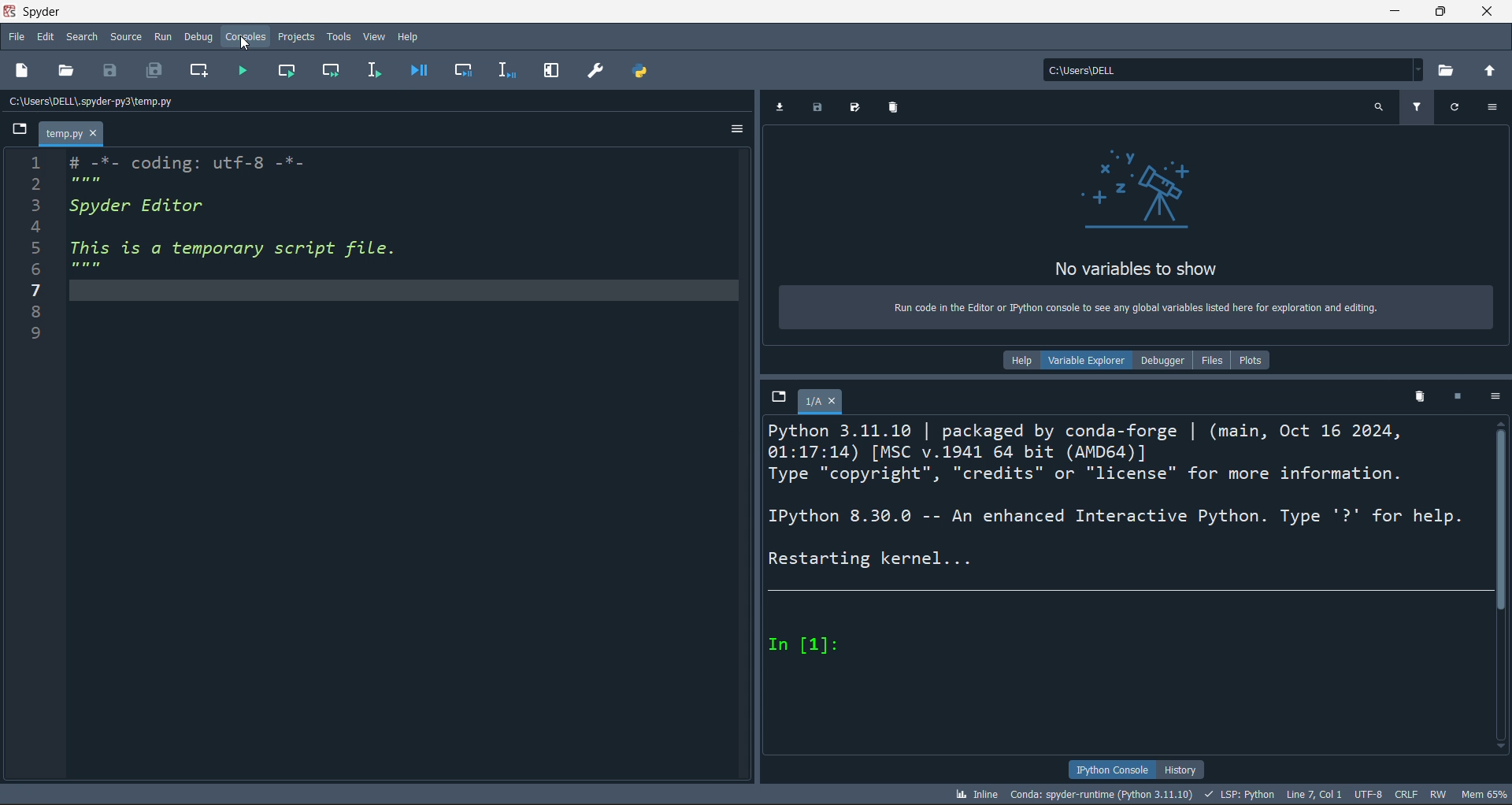 The height and width of the screenshot is (805, 1512). I want to click on help, so click(409, 35).